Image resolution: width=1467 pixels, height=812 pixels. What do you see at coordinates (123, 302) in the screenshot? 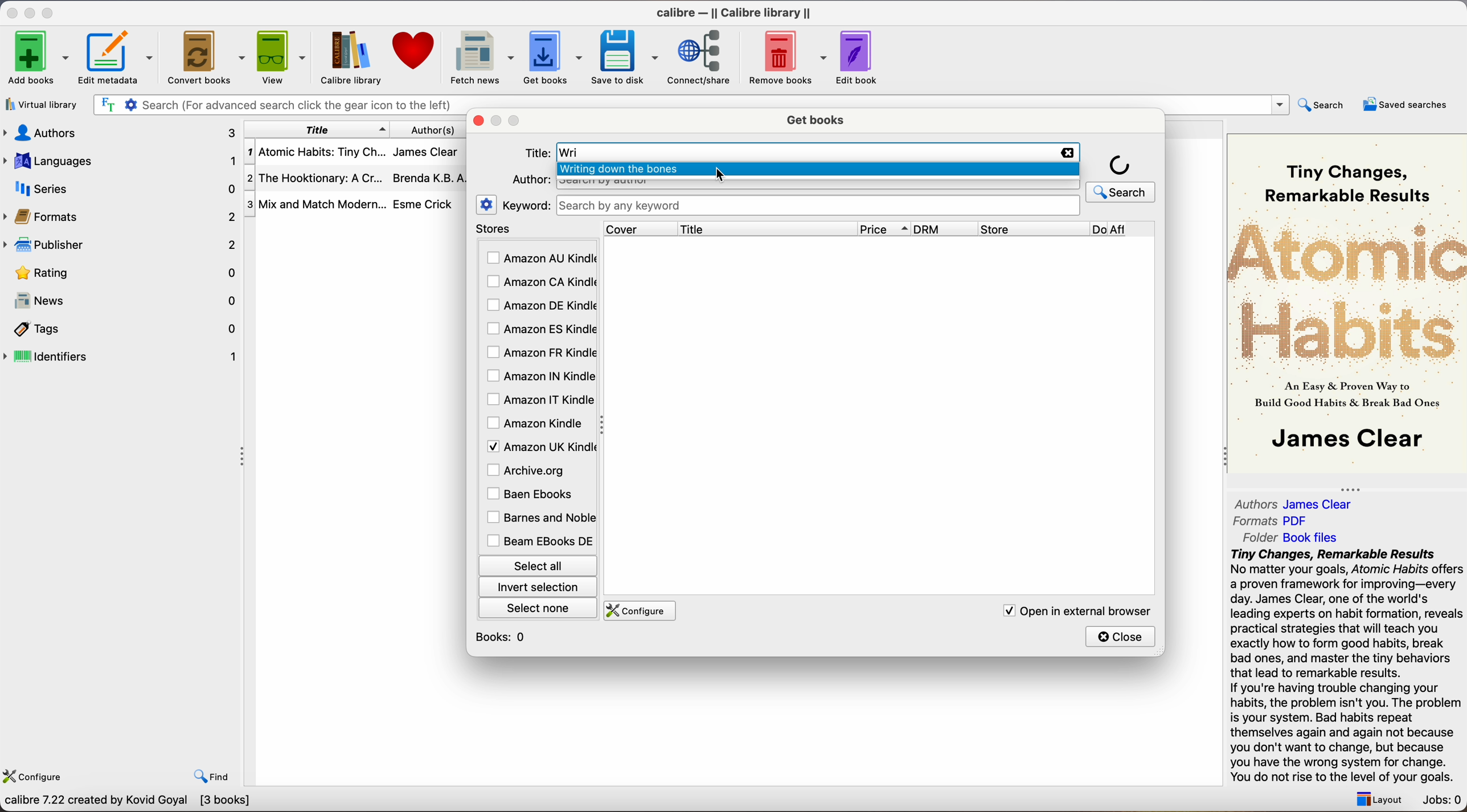
I see `news` at bounding box center [123, 302].